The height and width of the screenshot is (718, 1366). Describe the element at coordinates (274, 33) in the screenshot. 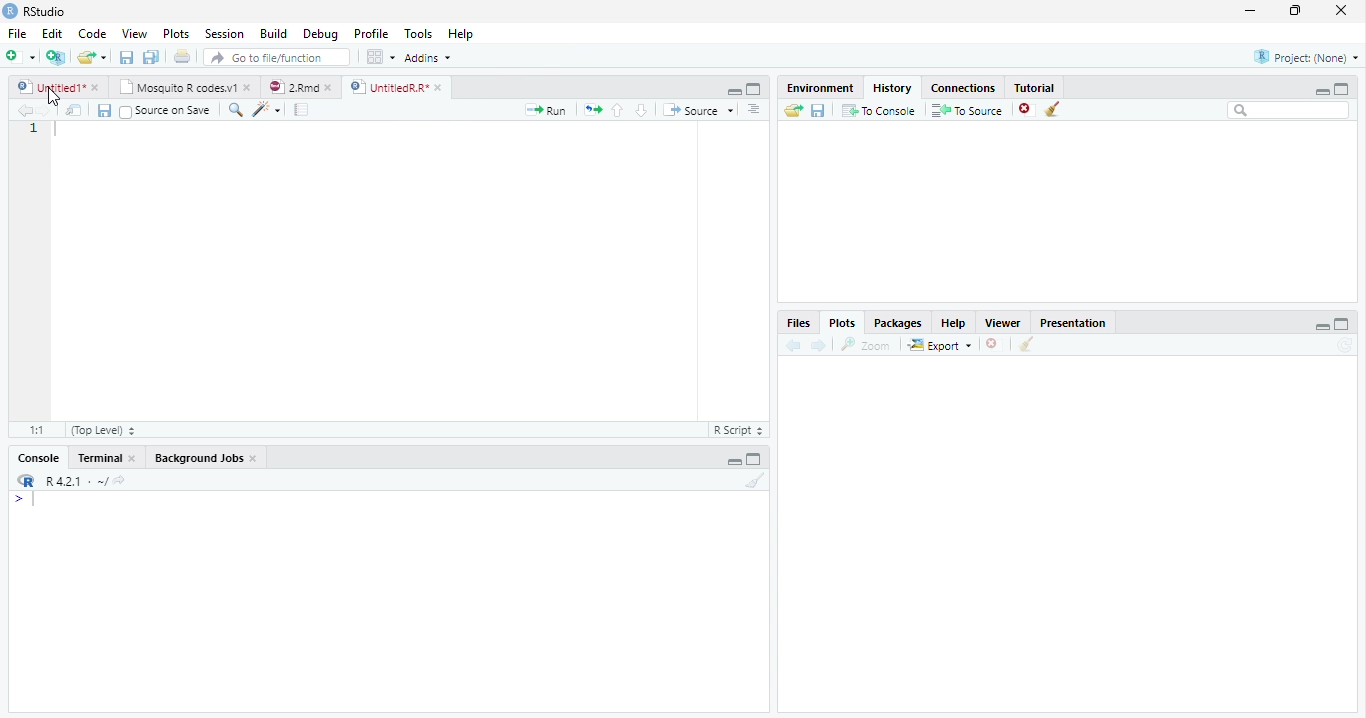

I see `Build` at that location.